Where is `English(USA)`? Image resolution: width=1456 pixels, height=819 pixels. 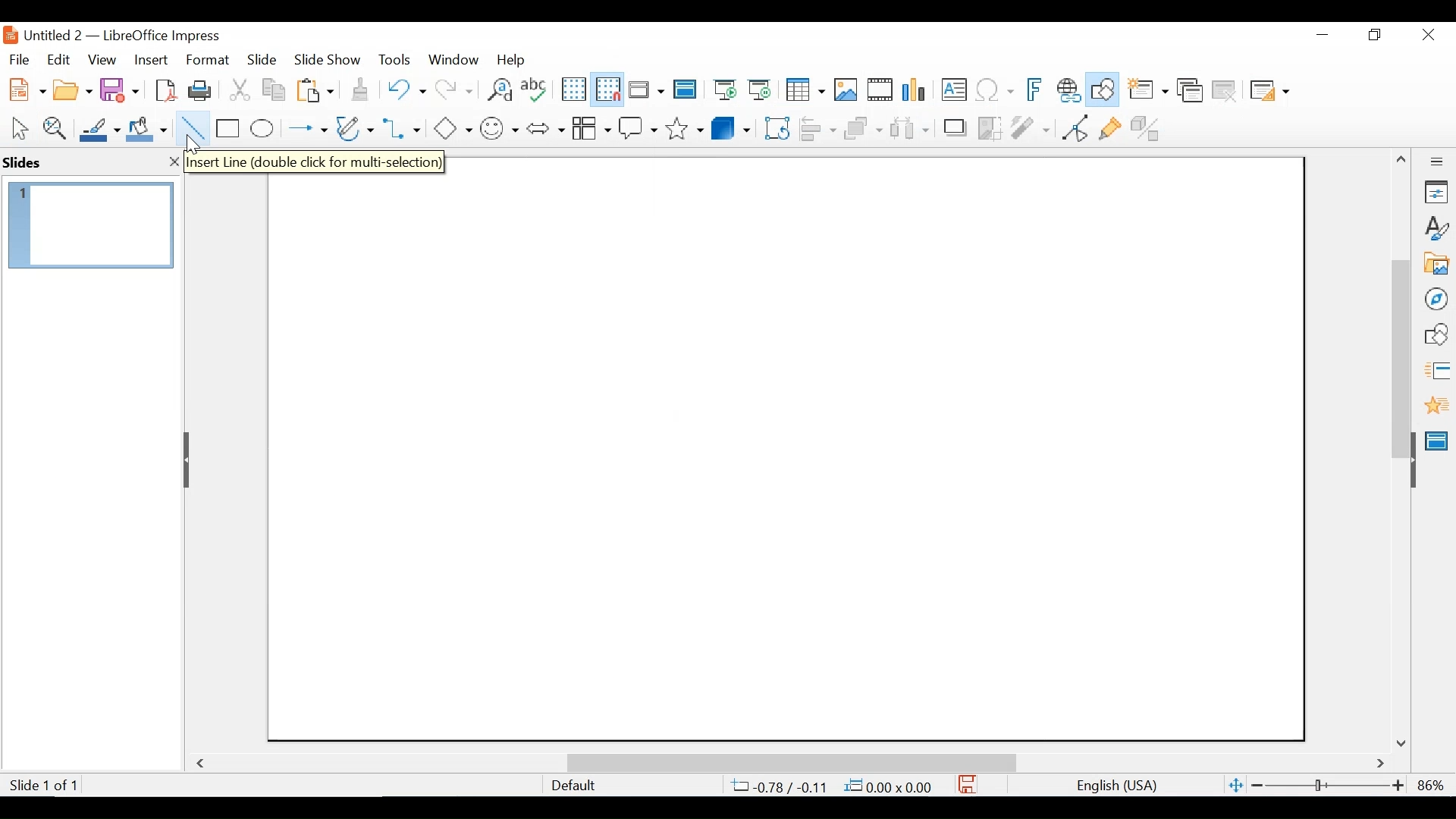 English(USA) is located at coordinates (1112, 786).